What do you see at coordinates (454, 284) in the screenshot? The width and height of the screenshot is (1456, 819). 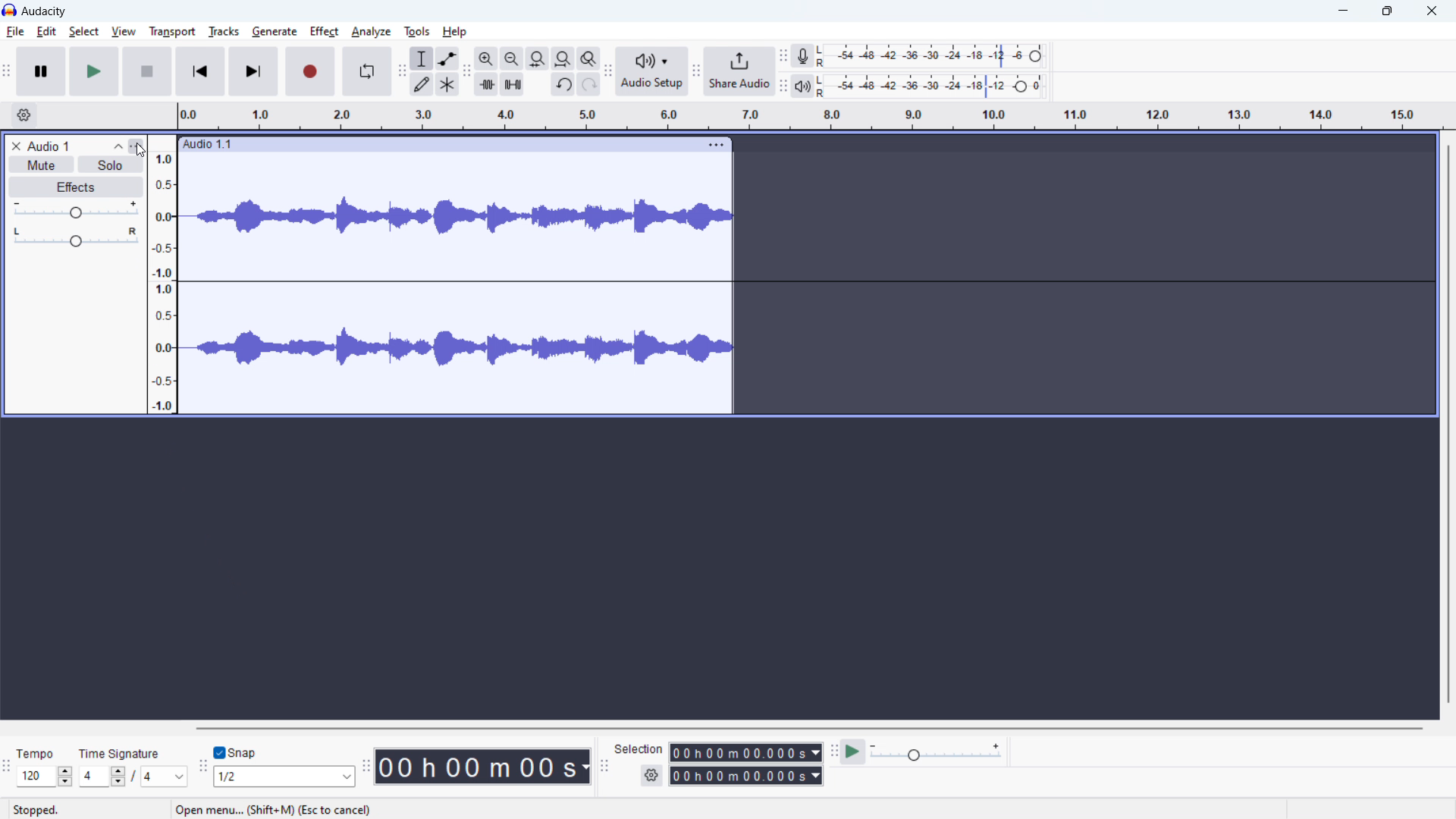 I see `track waveform` at bounding box center [454, 284].